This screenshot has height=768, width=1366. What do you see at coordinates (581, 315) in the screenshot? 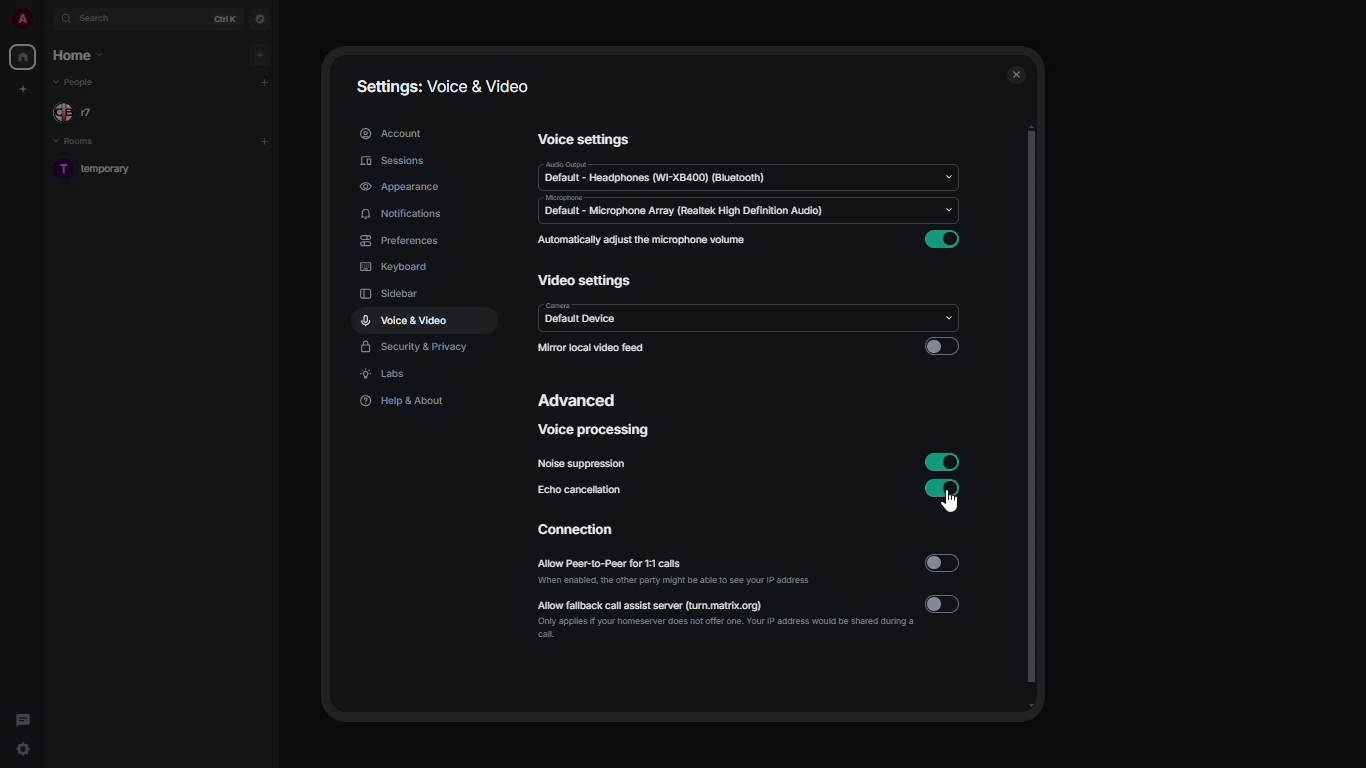
I see `camera default` at bounding box center [581, 315].